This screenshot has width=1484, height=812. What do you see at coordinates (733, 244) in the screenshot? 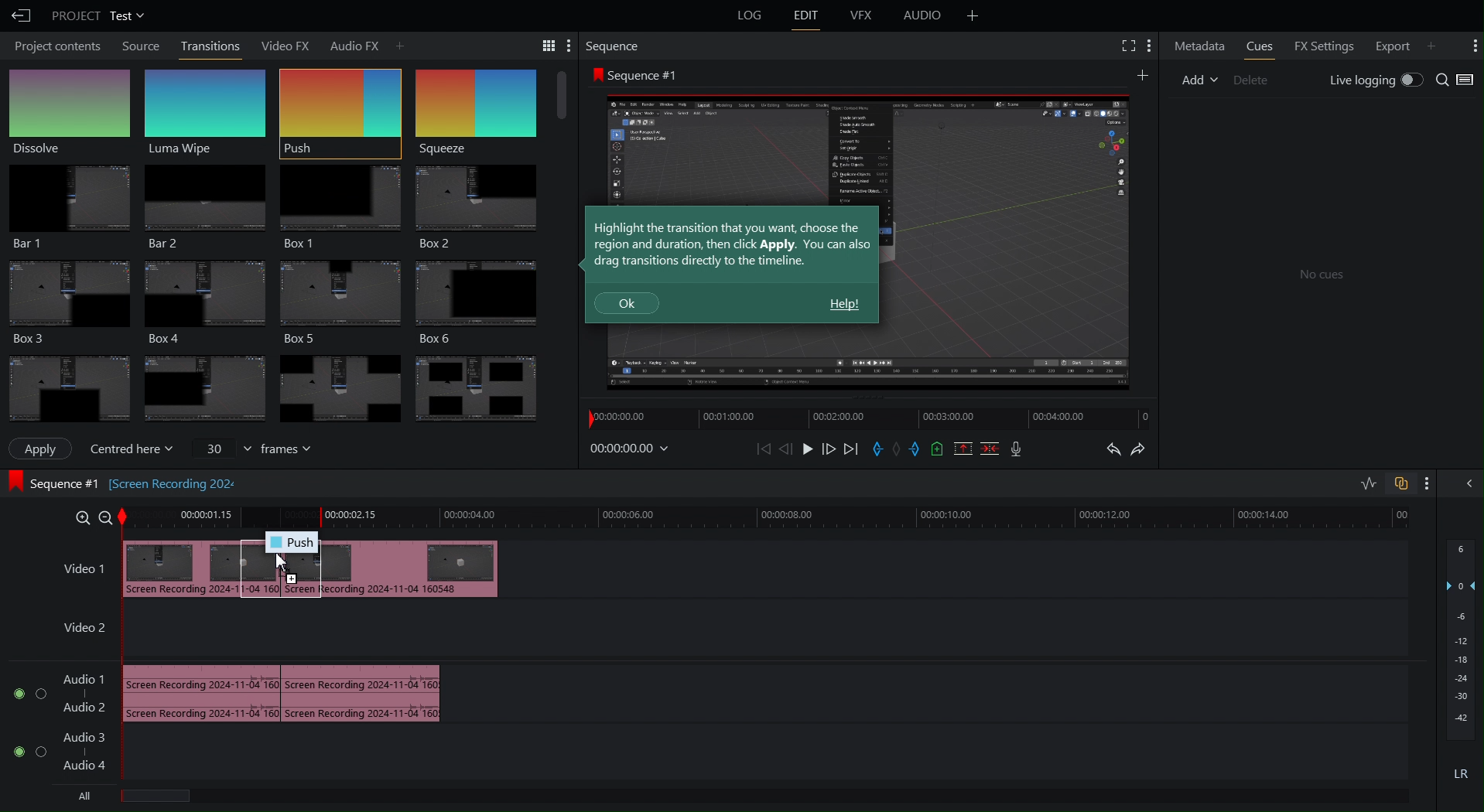
I see `Highlight the transition that you want, choose the
region and duration, then click Apply. You can also
drag transitions directly to the timeline.` at bounding box center [733, 244].